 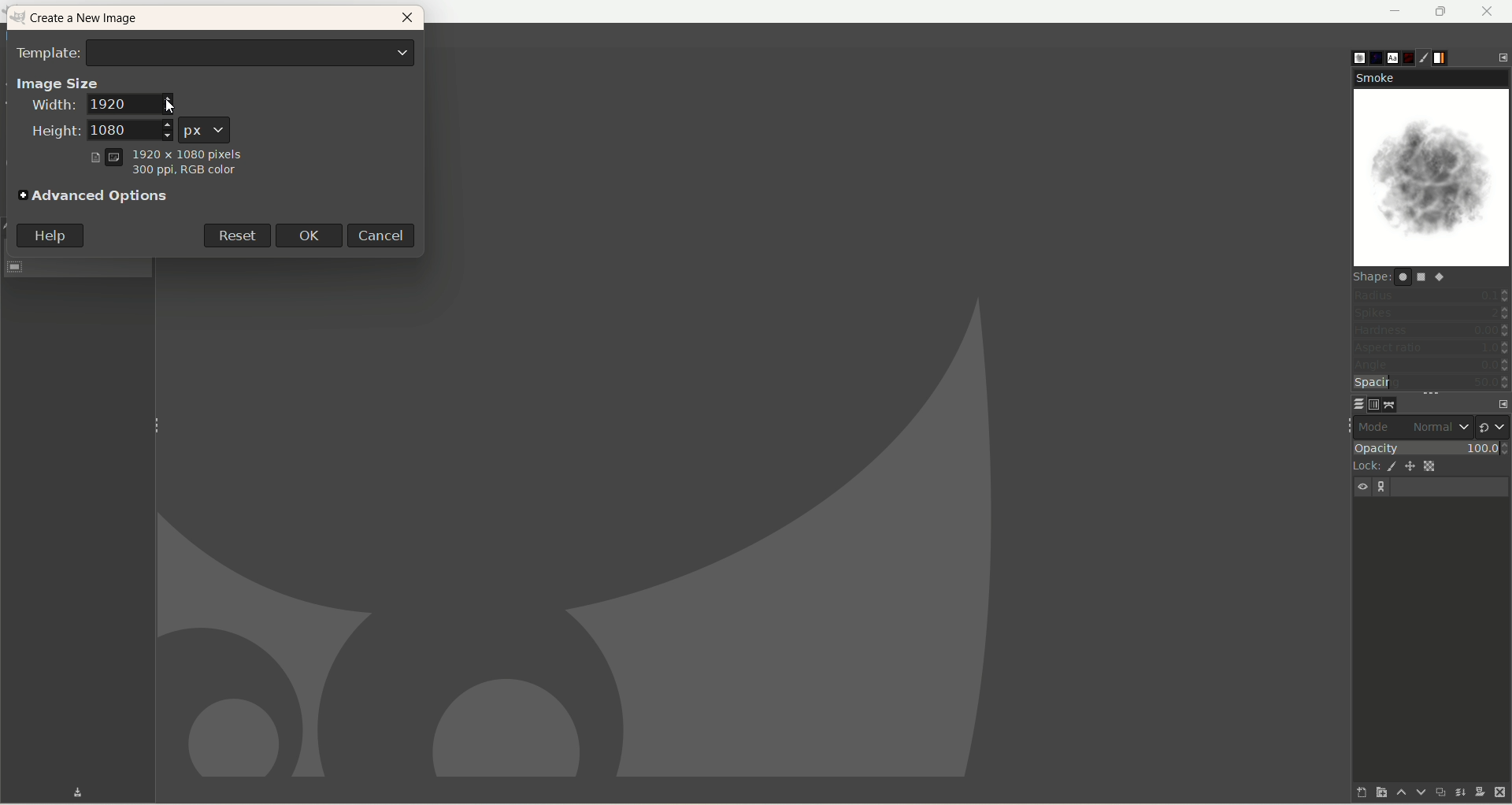 What do you see at coordinates (1430, 446) in the screenshot?
I see `opacity` at bounding box center [1430, 446].